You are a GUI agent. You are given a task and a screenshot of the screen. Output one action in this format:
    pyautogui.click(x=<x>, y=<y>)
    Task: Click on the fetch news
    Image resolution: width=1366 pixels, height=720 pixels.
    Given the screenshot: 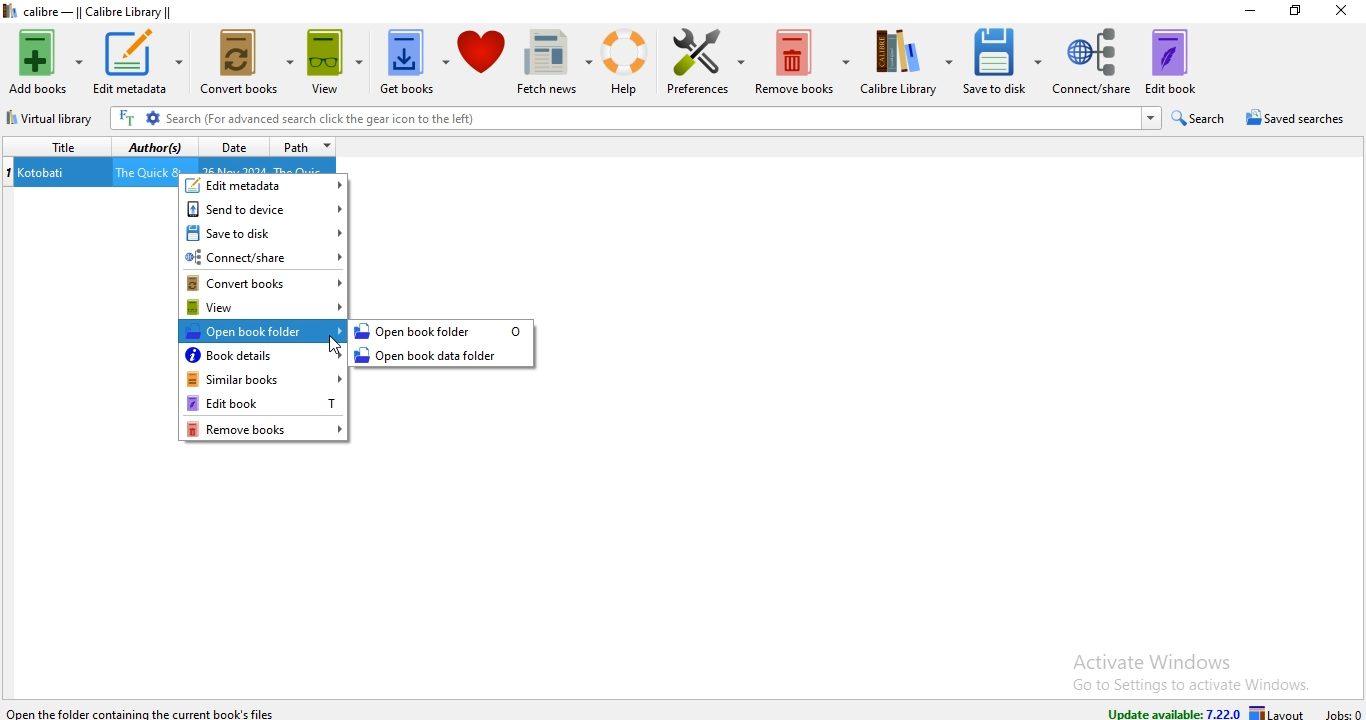 What is the action you would take?
    pyautogui.click(x=554, y=60)
    